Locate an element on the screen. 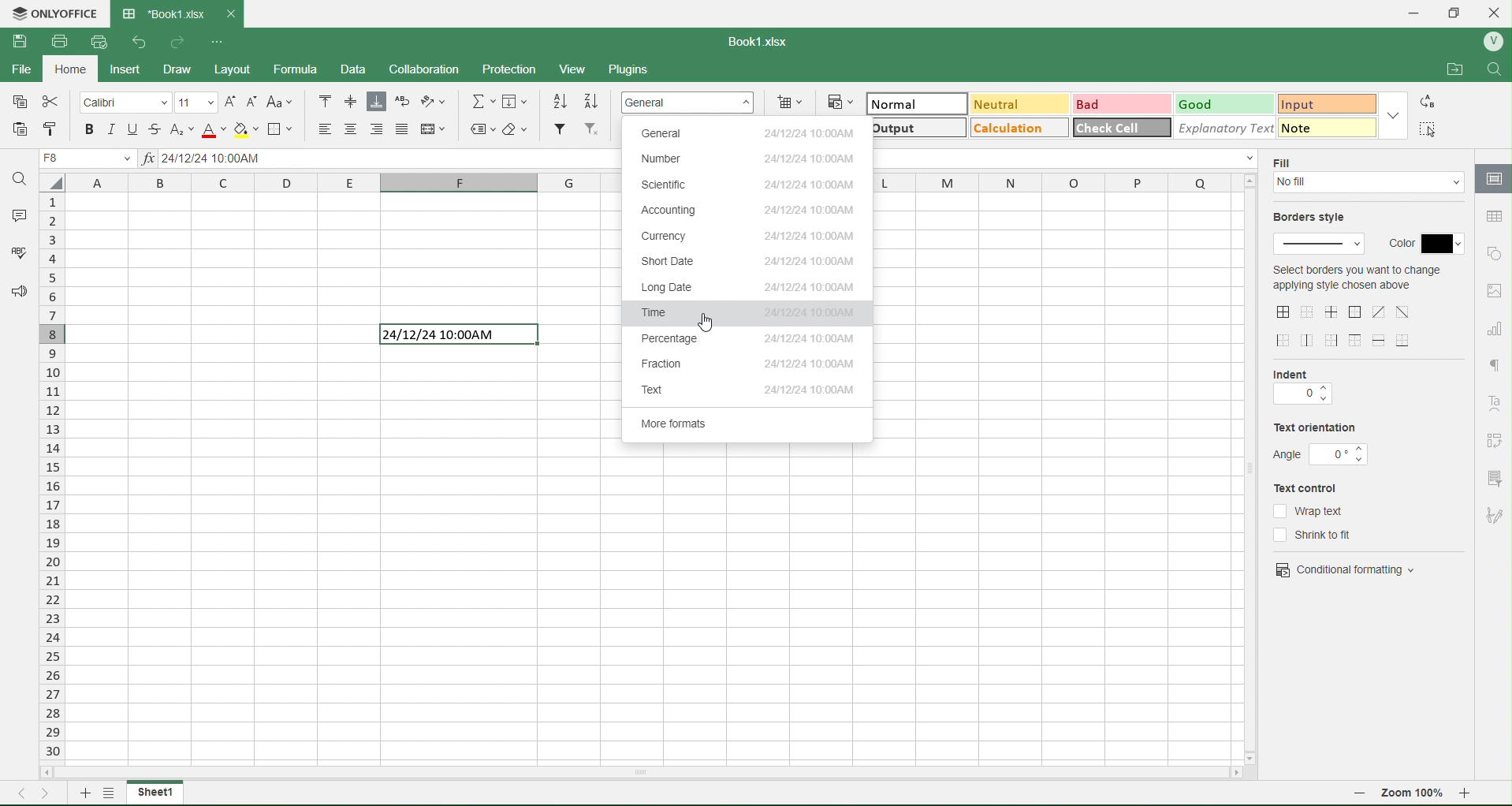  shapes is located at coordinates (1494, 252).